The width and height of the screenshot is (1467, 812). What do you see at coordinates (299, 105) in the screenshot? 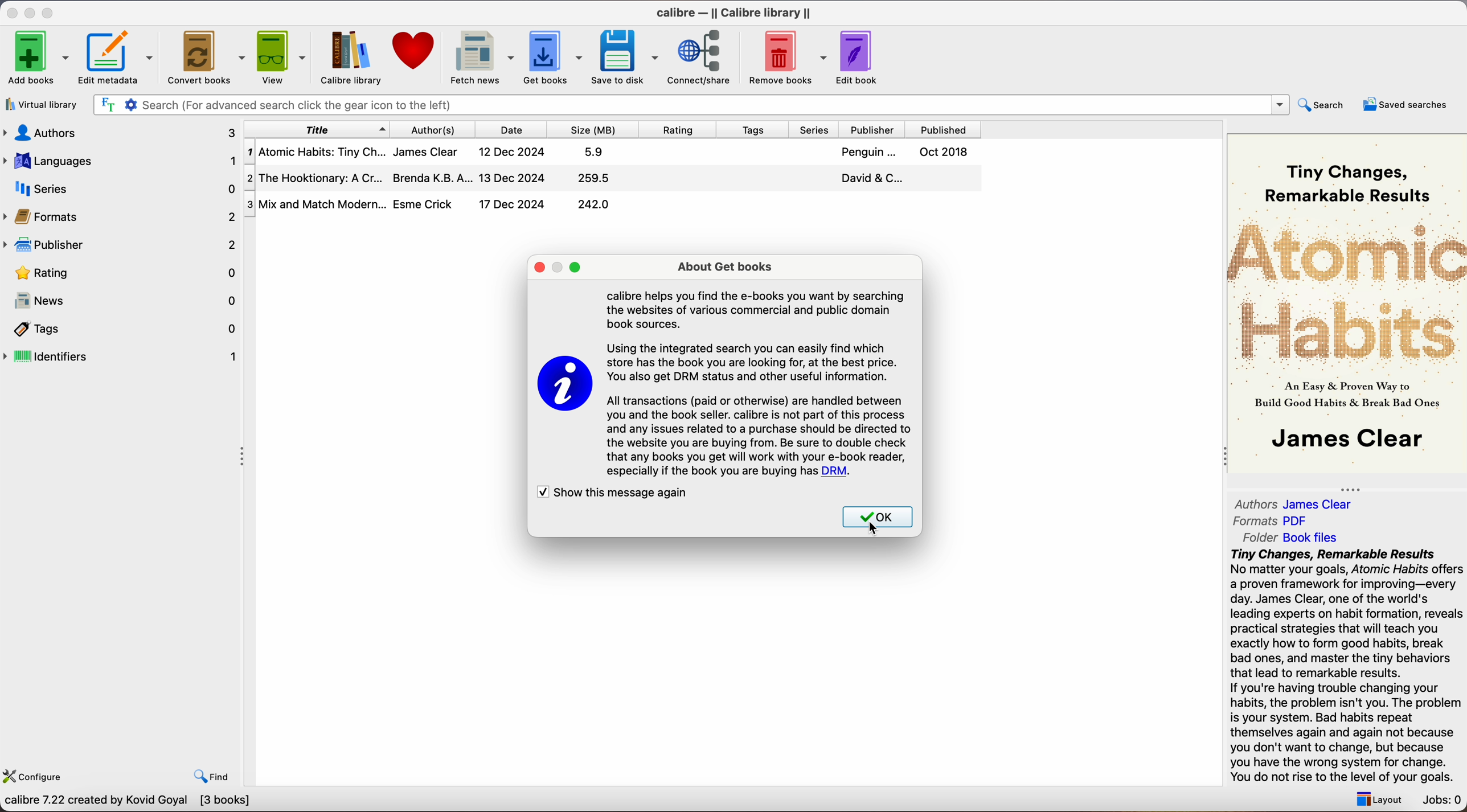
I see `search bar` at bounding box center [299, 105].